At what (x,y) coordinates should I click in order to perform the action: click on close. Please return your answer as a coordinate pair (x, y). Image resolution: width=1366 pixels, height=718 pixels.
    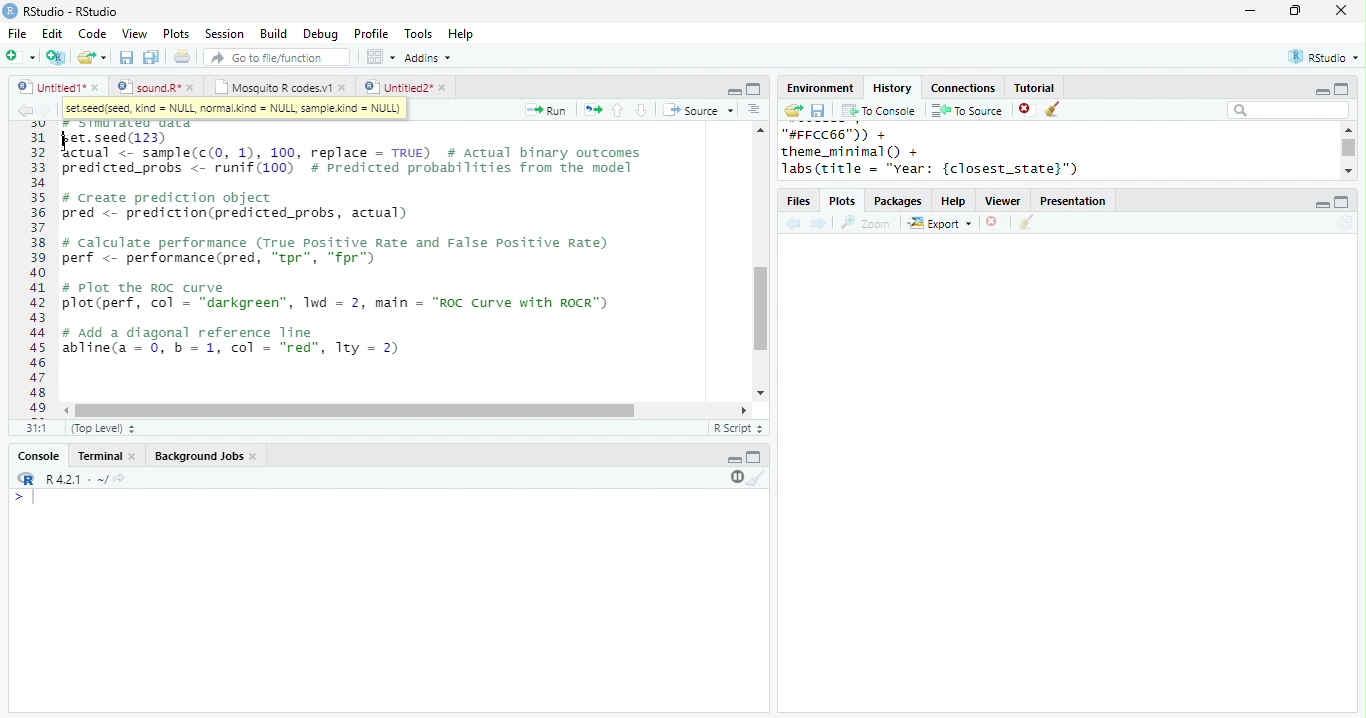
    Looking at the image, I should click on (445, 88).